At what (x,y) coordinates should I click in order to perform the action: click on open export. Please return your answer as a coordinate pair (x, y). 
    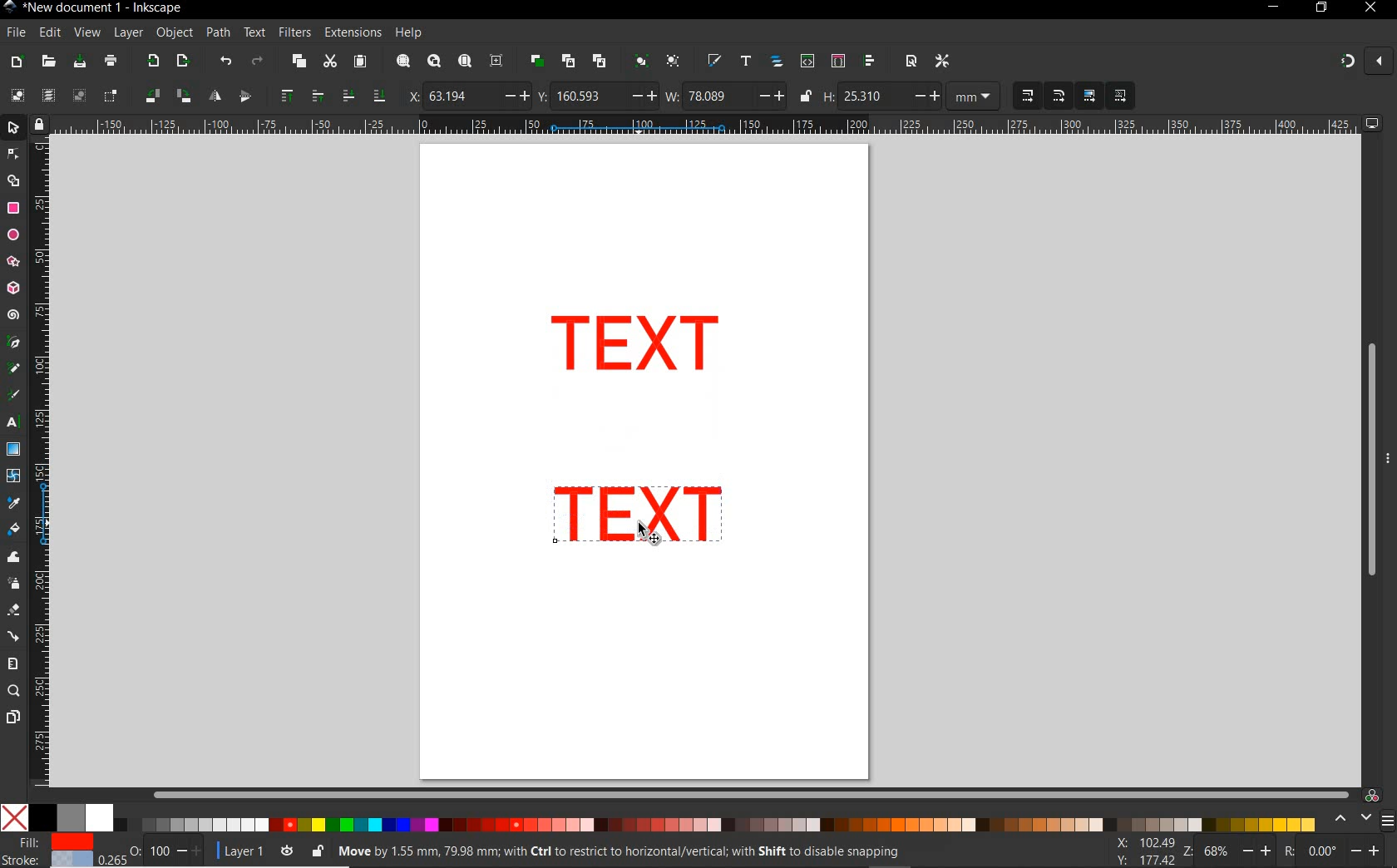
    Looking at the image, I should click on (182, 62).